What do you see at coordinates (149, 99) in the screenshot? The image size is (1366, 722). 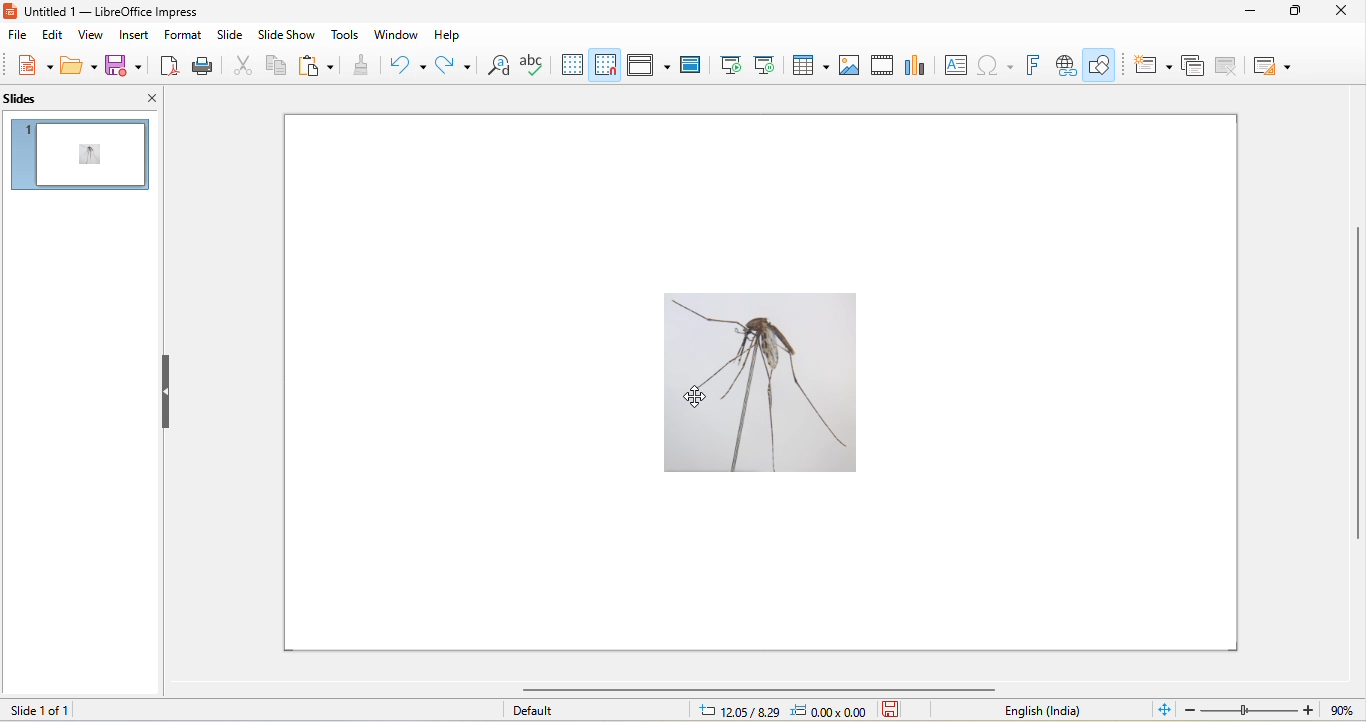 I see `close` at bounding box center [149, 99].